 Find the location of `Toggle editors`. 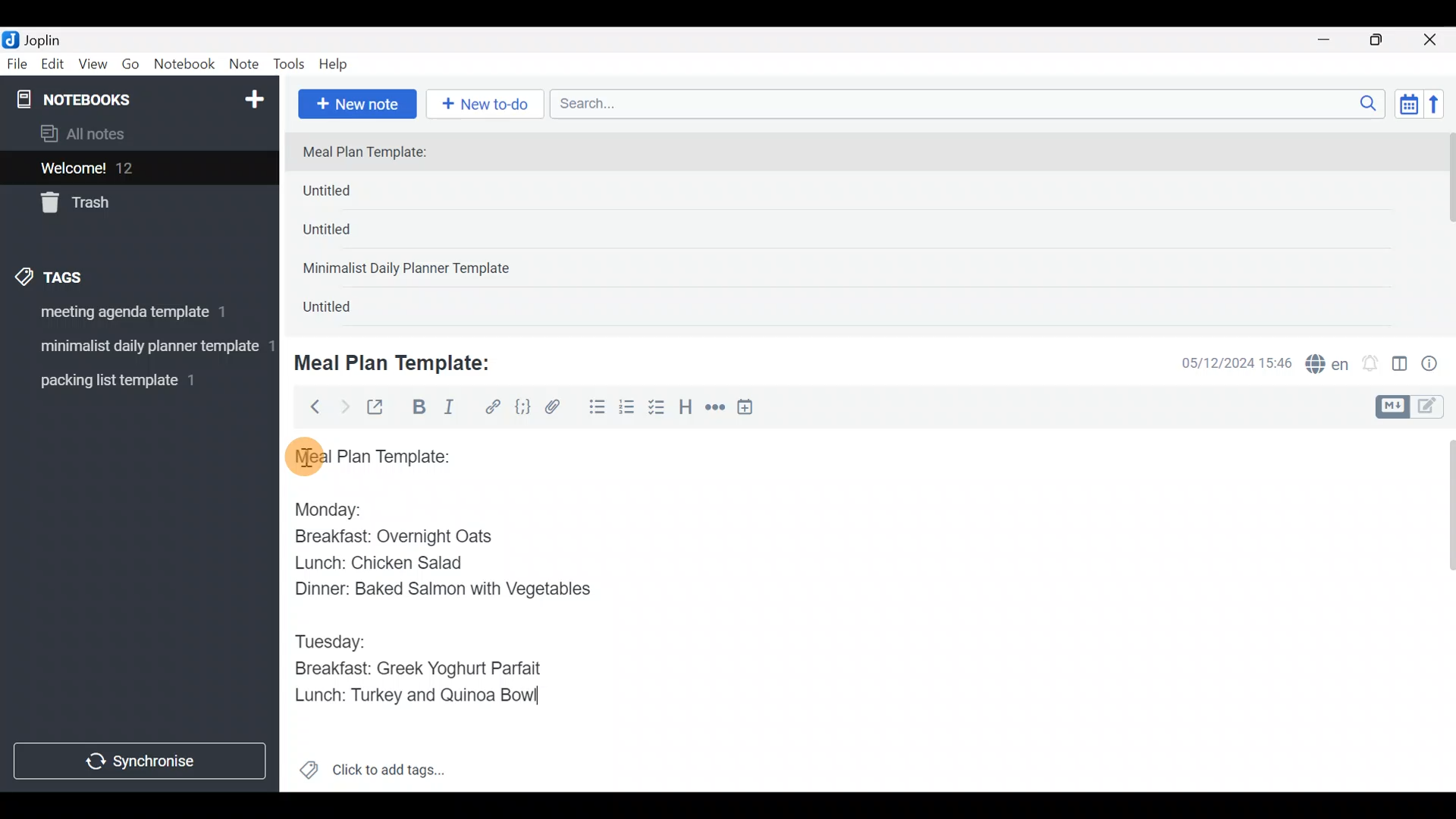

Toggle editors is located at coordinates (1414, 405).